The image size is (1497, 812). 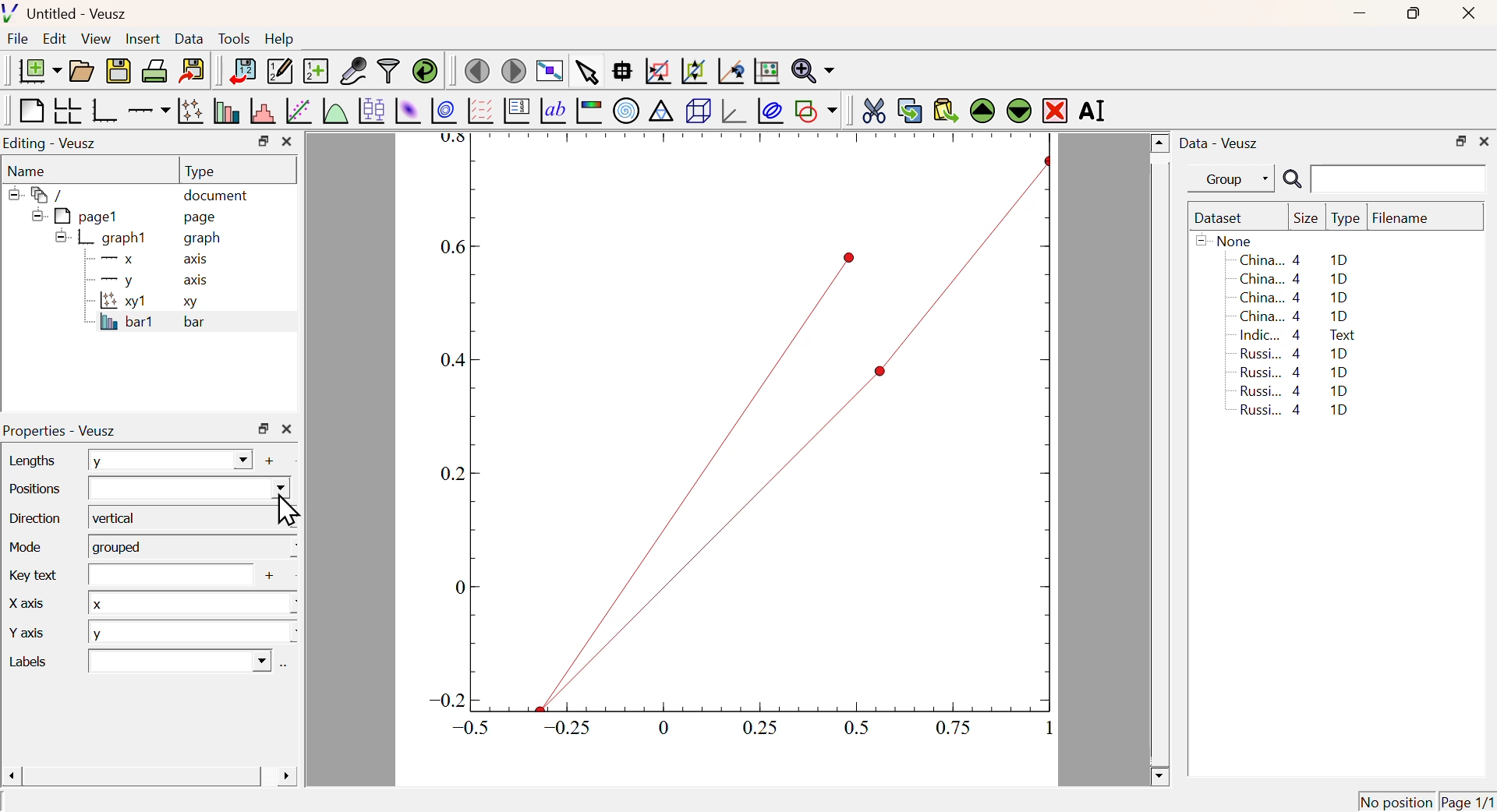 What do you see at coordinates (28, 171) in the screenshot?
I see `Name` at bounding box center [28, 171].